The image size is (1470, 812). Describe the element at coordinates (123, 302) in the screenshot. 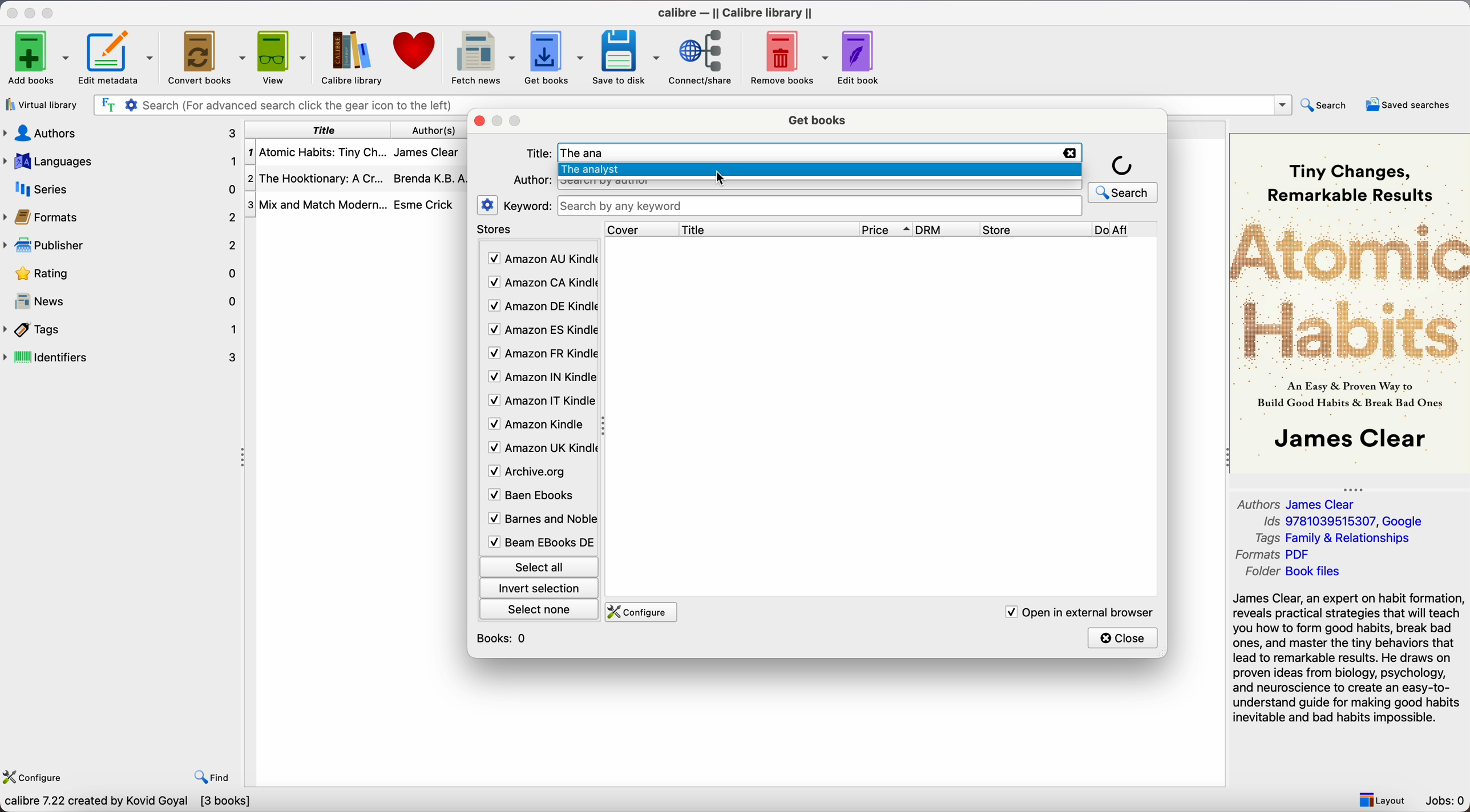

I see `news` at that location.